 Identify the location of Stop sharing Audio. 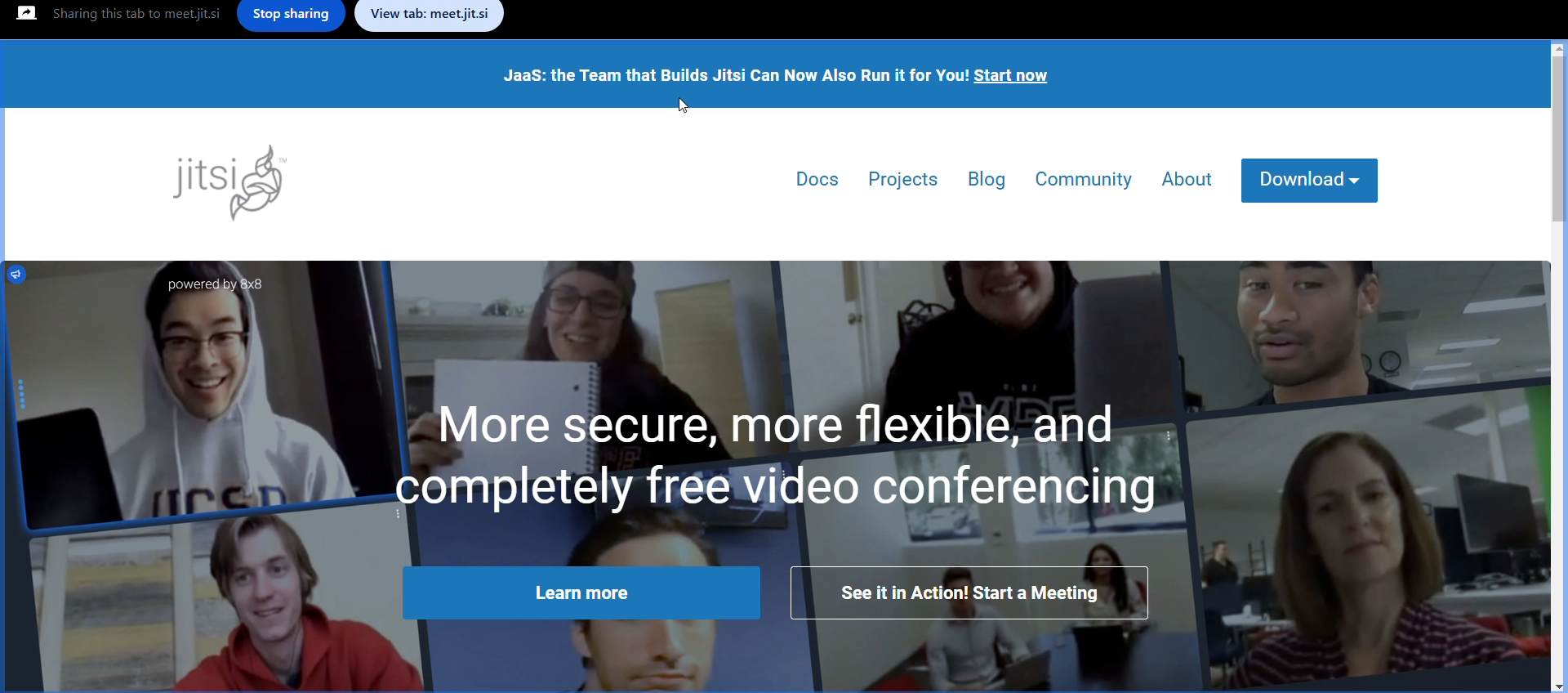
(289, 20).